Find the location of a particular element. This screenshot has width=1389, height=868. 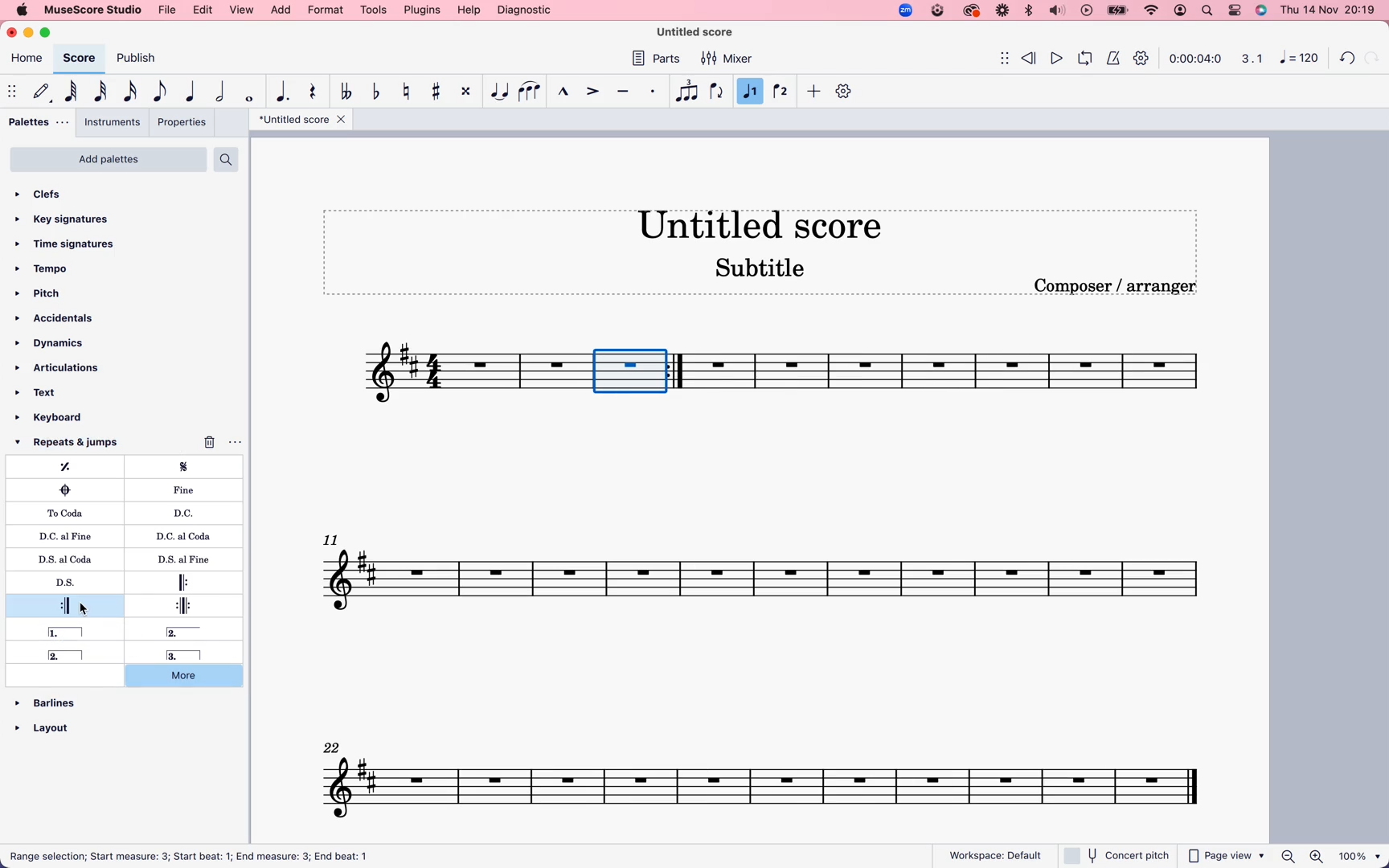

flip direction is located at coordinates (717, 91).